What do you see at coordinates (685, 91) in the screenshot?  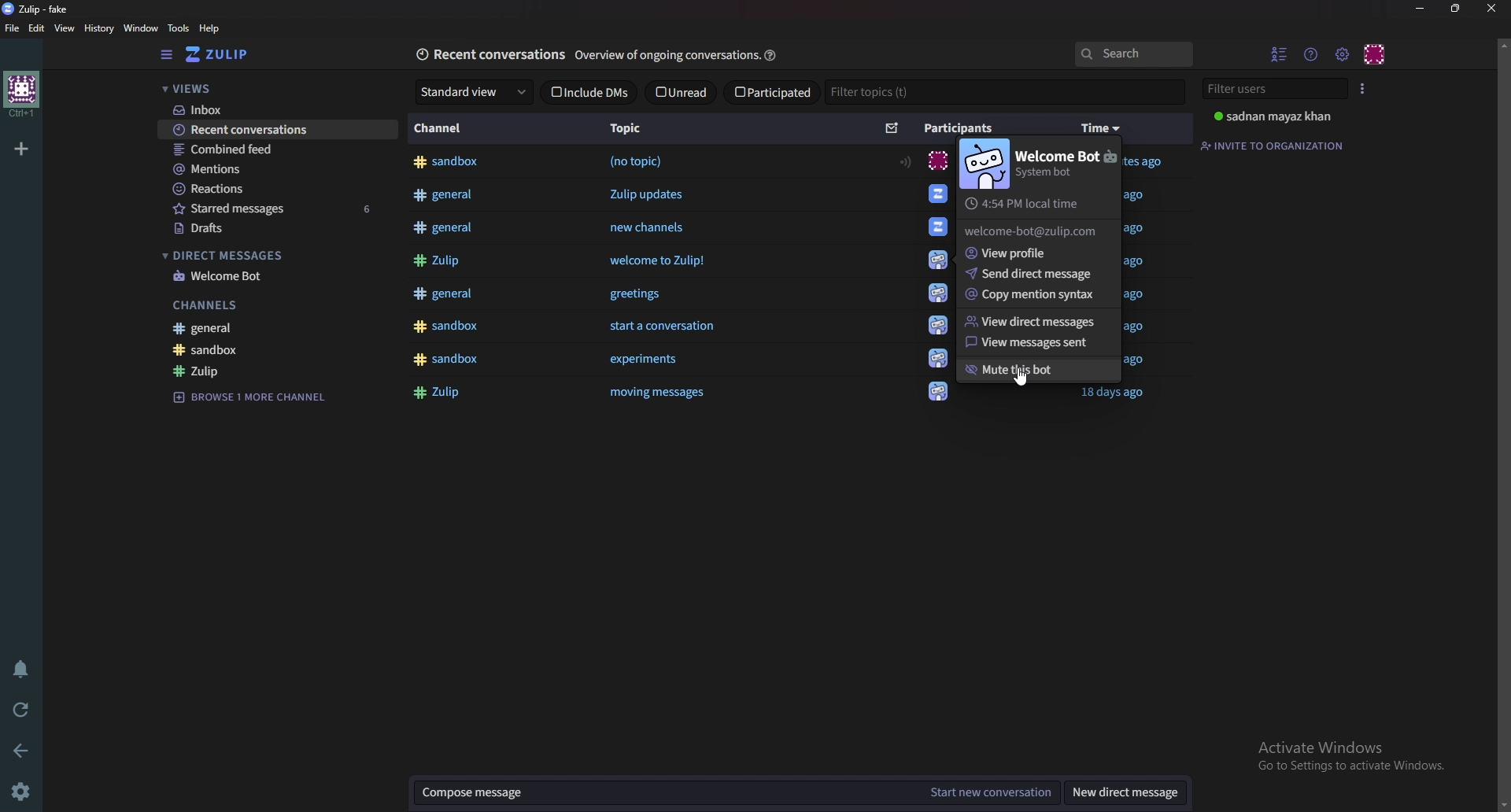 I see `unread` at bounding box center [685, 91].